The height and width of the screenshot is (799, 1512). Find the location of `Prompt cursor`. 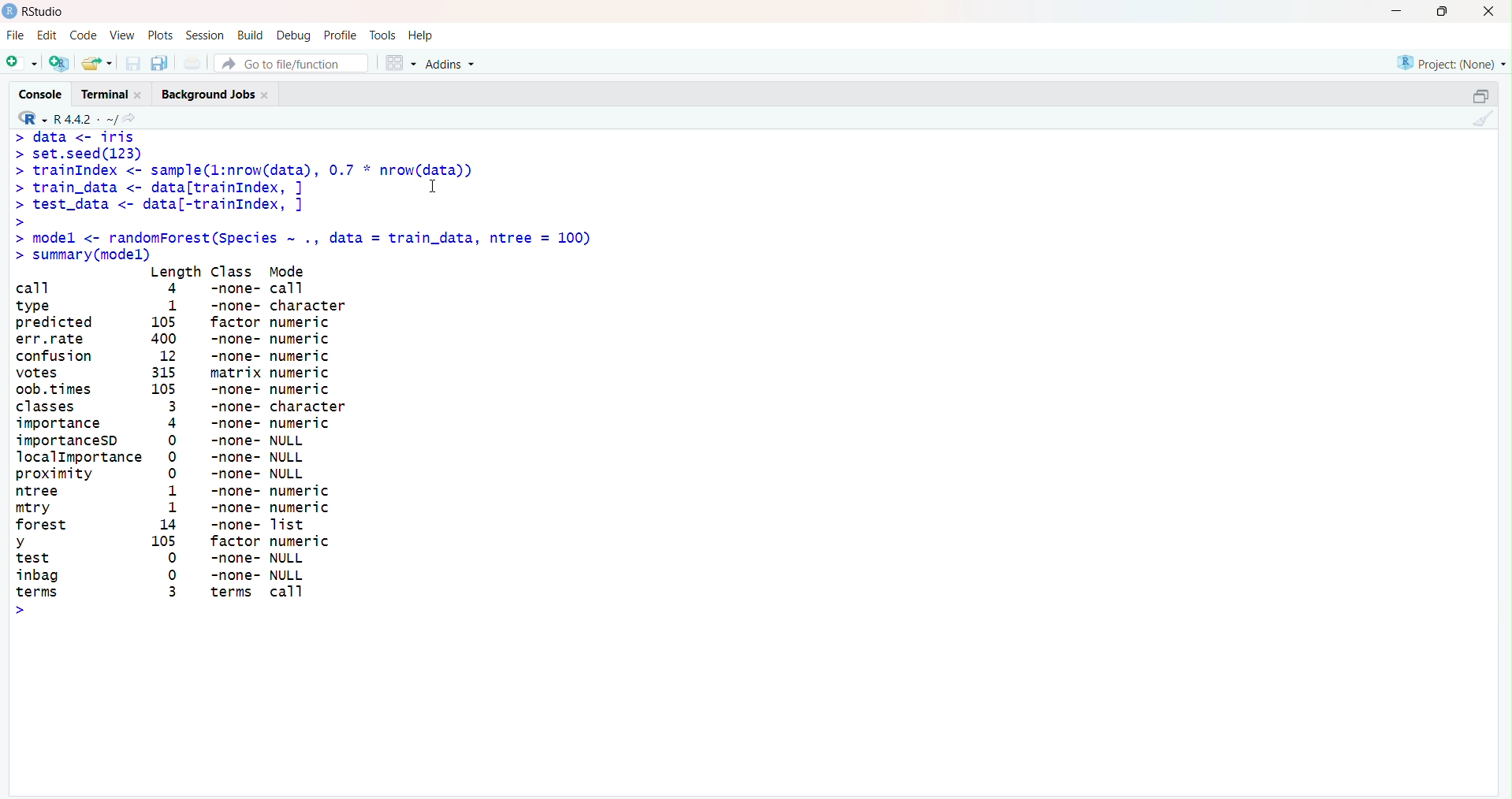

Prompt cursor is located at coordinates (19, 188).